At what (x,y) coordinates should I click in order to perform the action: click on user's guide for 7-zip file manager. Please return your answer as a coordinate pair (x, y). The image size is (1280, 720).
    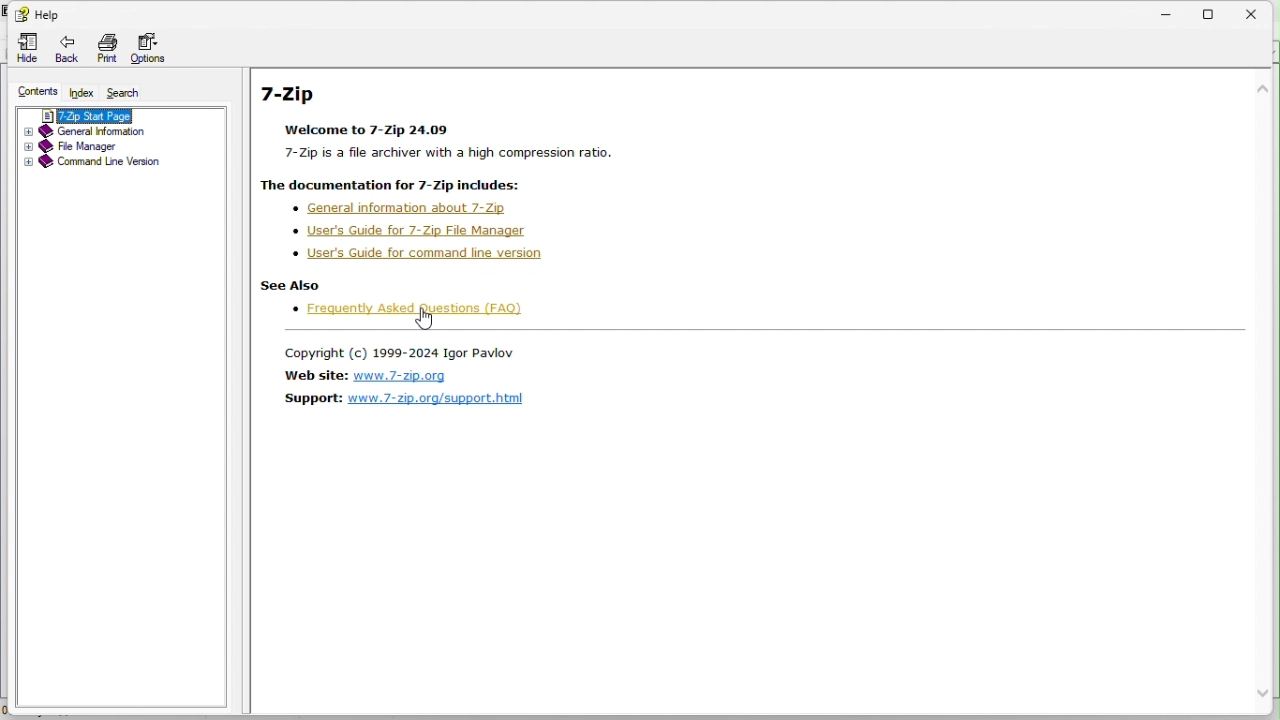
    Looking at the image, I should click on (409, 232).